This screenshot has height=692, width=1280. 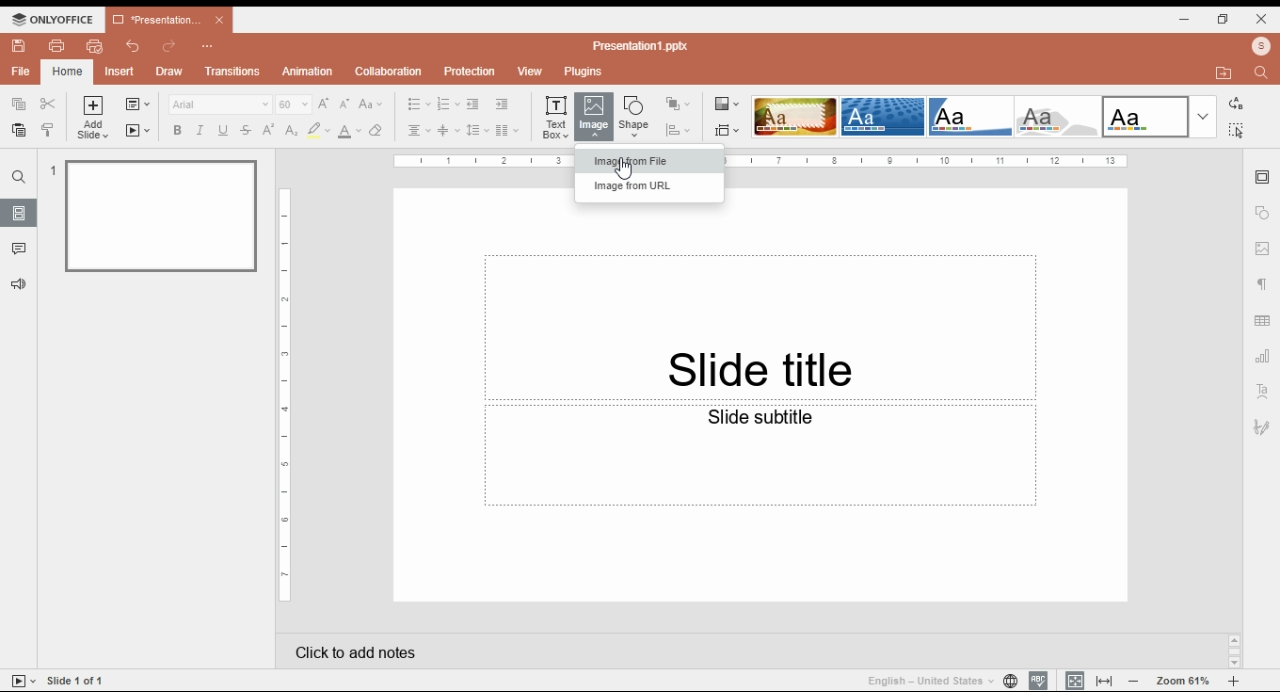 I want to click on view, so click(x=529, y=70).